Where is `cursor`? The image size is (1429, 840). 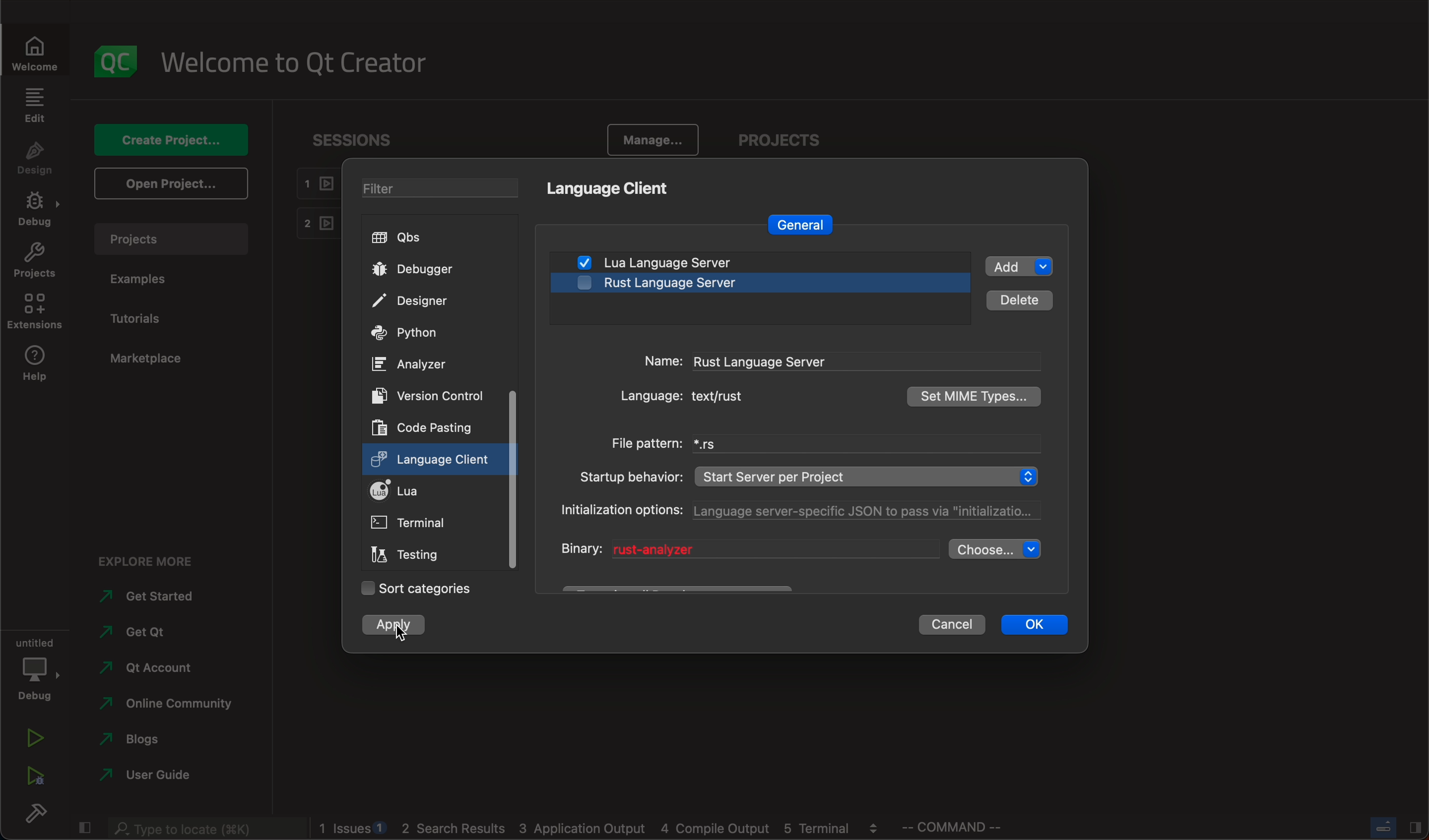 cursor is located at coordinates (399, 631).